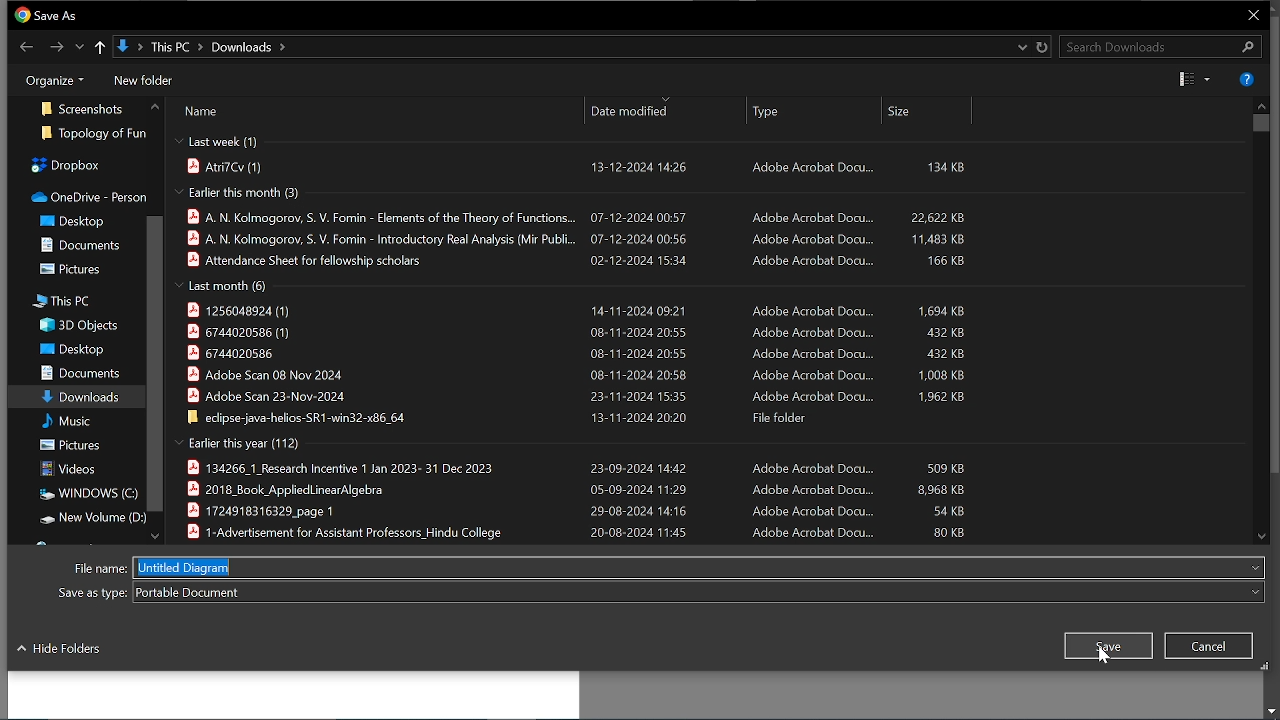  I want to click on 1,694 KB, so click(940, 310).